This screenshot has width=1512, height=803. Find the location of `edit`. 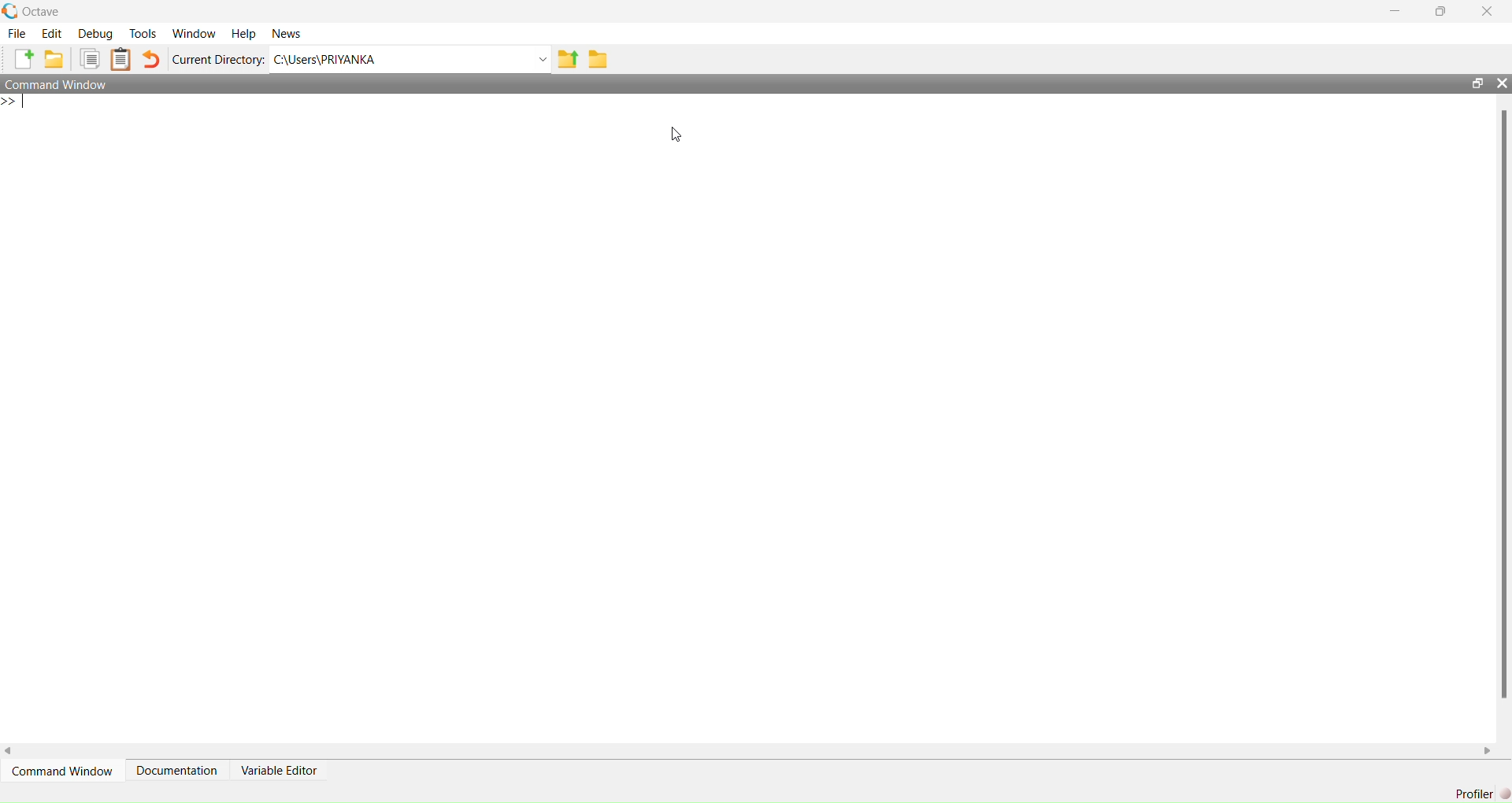

edit is located at coordinates (50, 34).